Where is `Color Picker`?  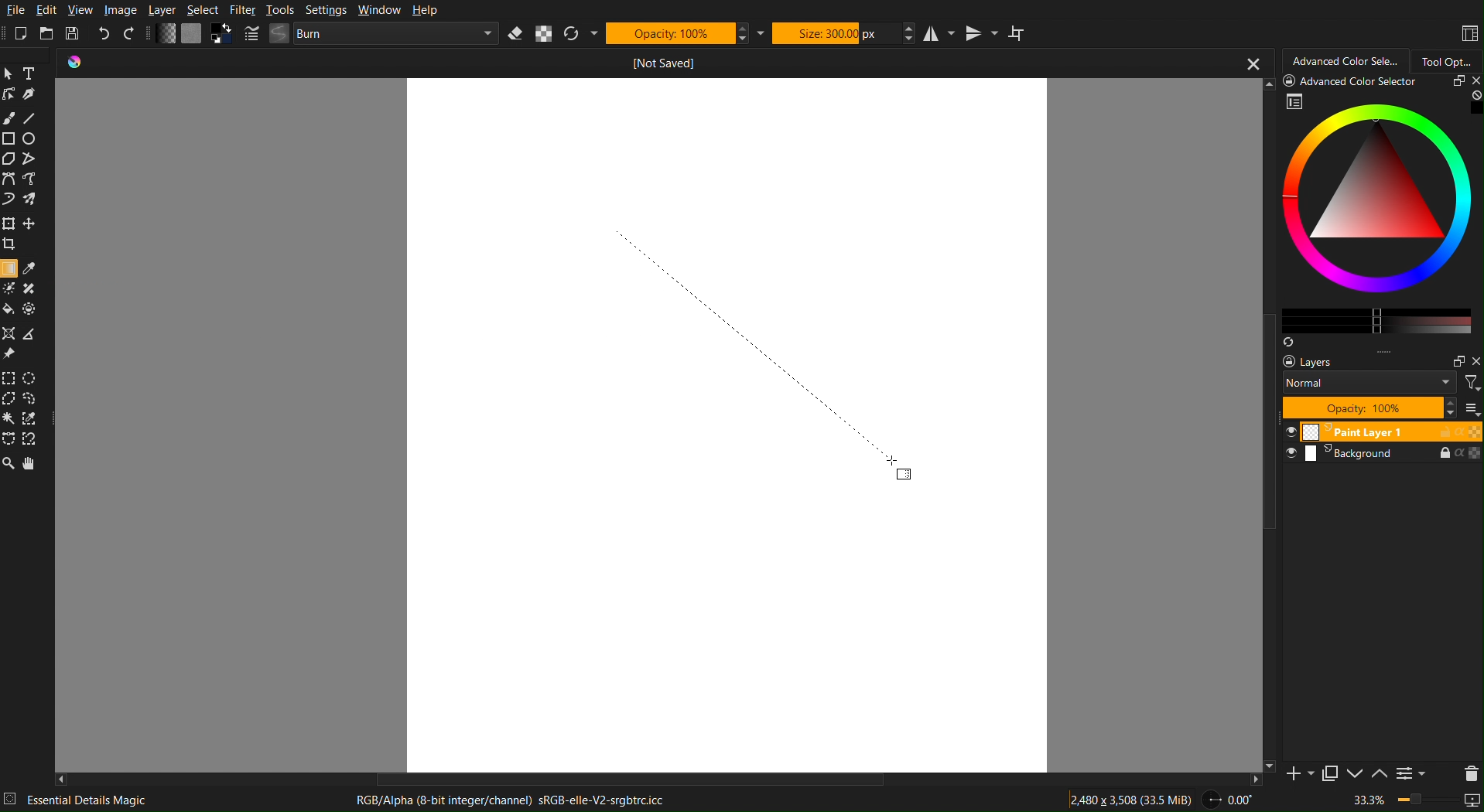 Color Picker is located at coordinates (32, 268).